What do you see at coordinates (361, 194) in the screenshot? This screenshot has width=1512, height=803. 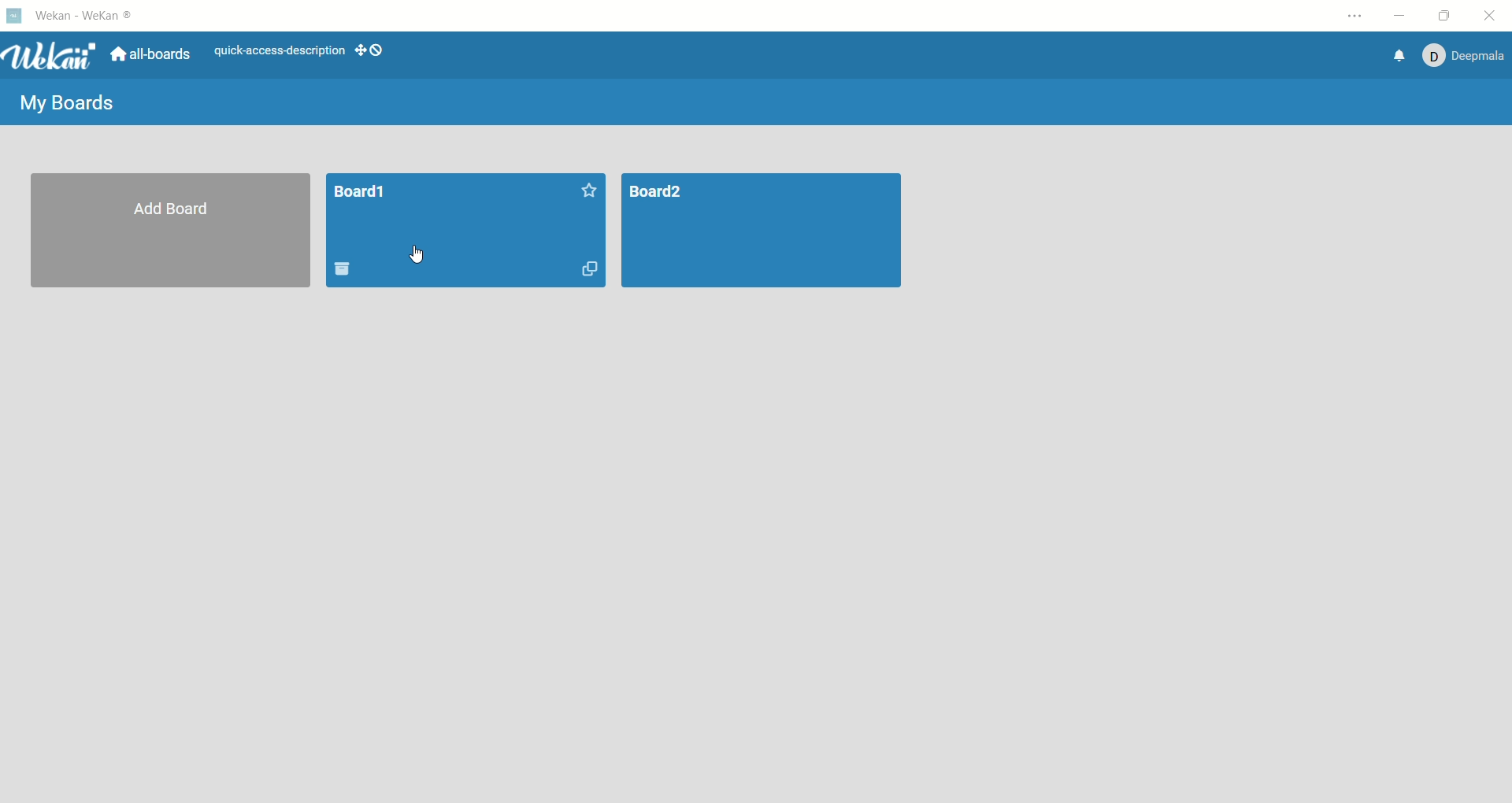 I see `title` at bounding box center [361, 194].